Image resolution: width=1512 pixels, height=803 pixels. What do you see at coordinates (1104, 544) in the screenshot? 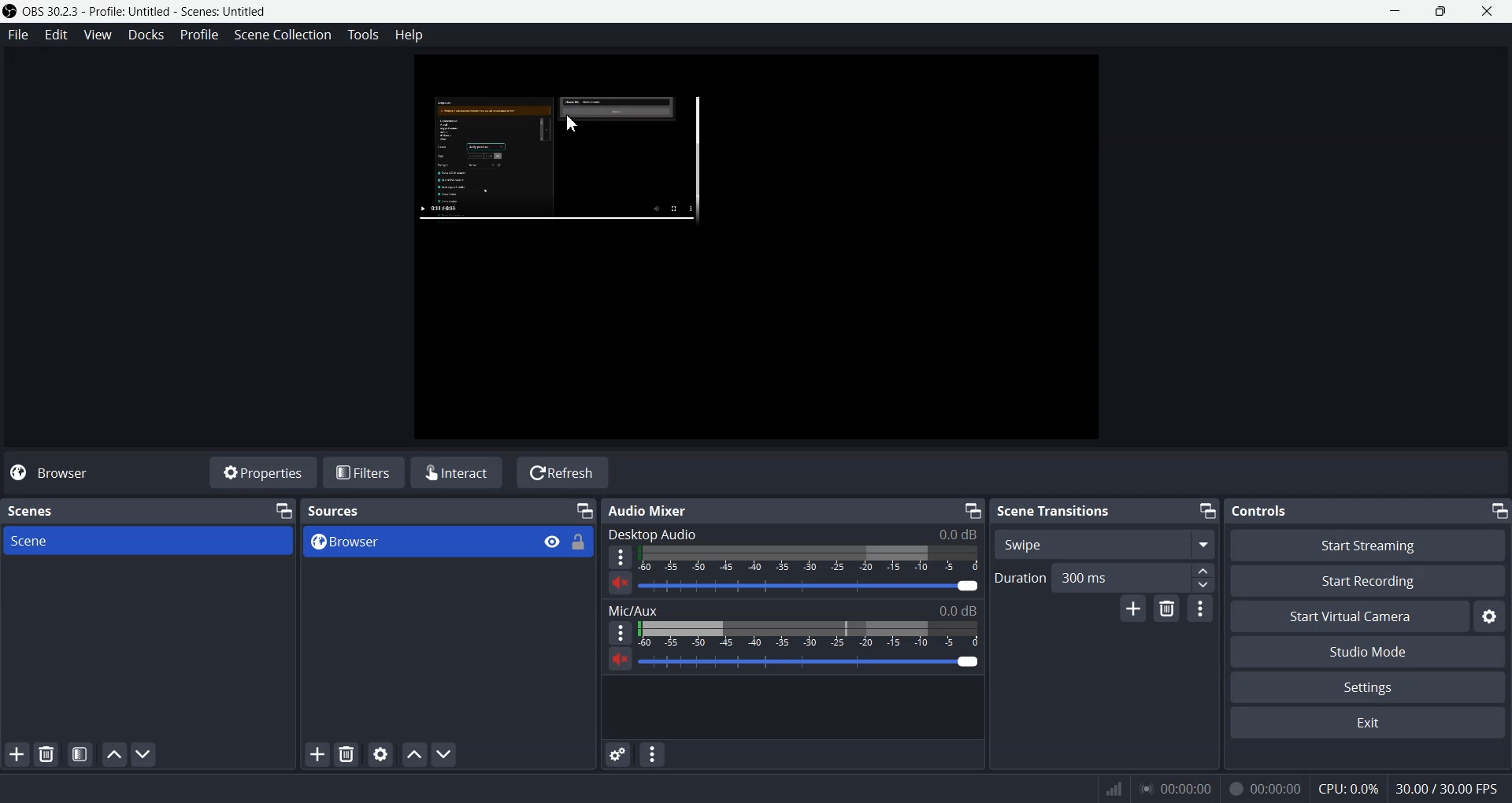
I see `Swipe` at bounding box center [1104, 544].